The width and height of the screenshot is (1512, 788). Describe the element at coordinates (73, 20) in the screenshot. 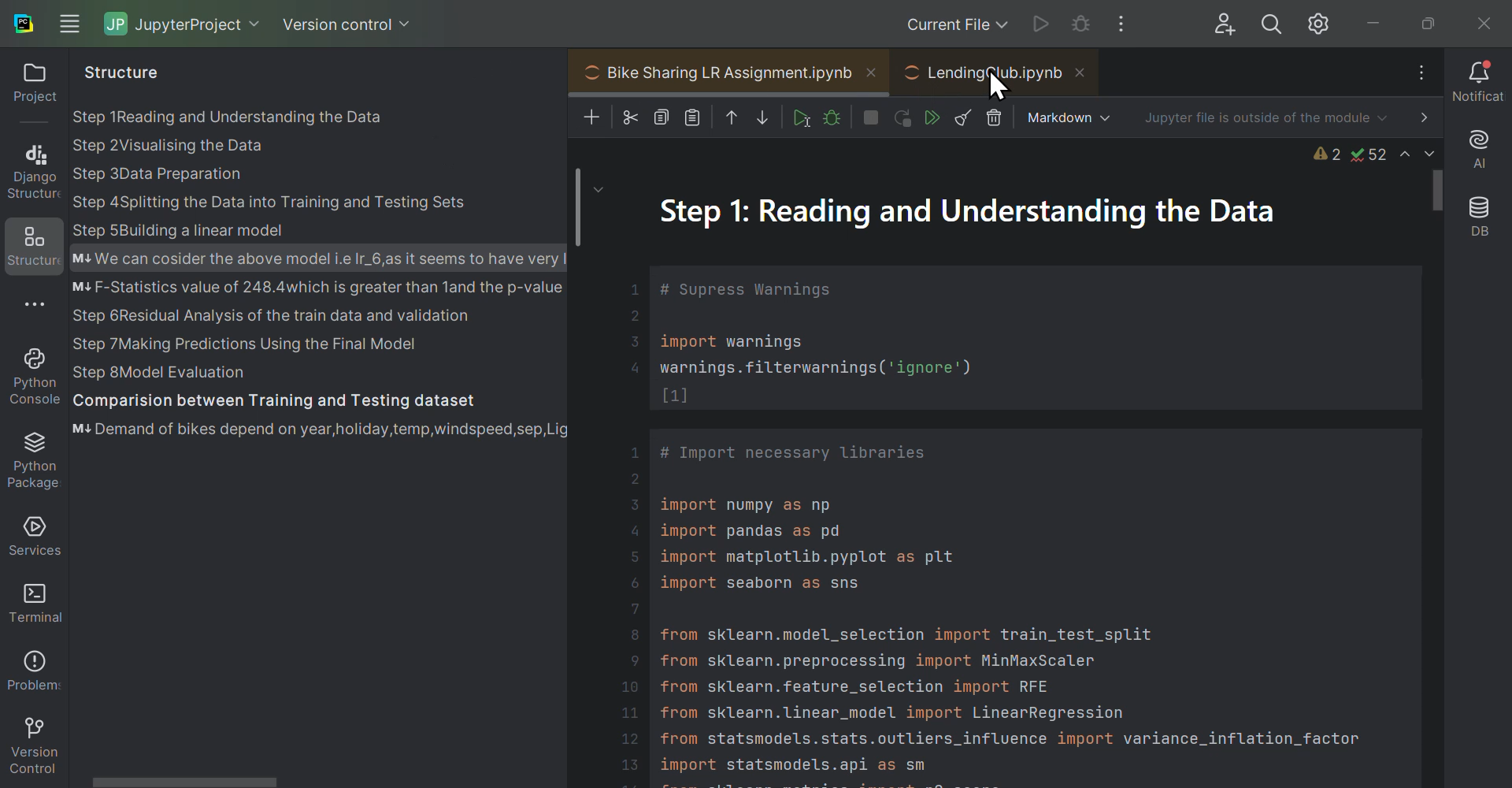

I see `Windows navigation options` at that location.